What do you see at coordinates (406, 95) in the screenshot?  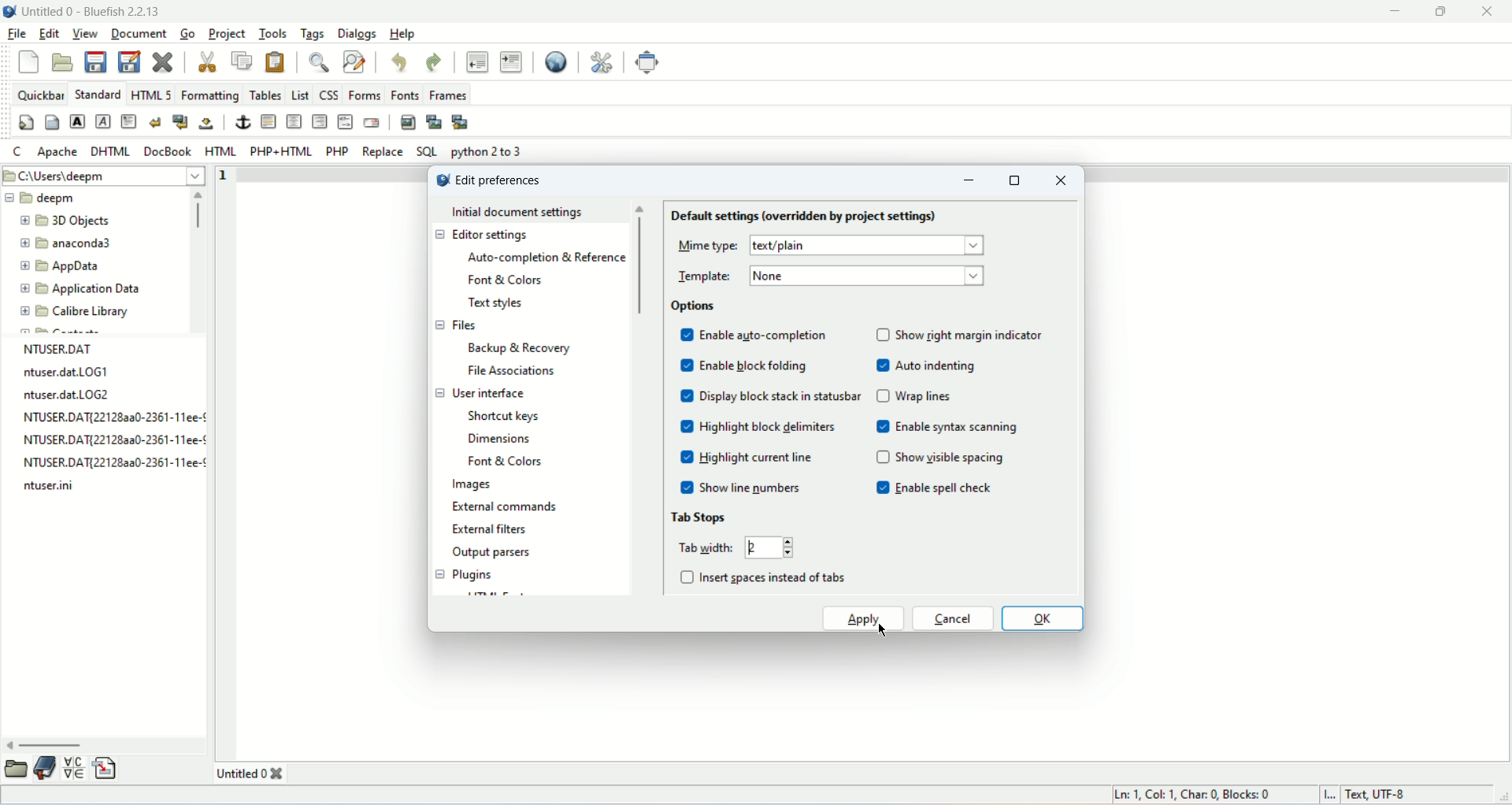 I see `fonts` at bounding box center [406, 95].